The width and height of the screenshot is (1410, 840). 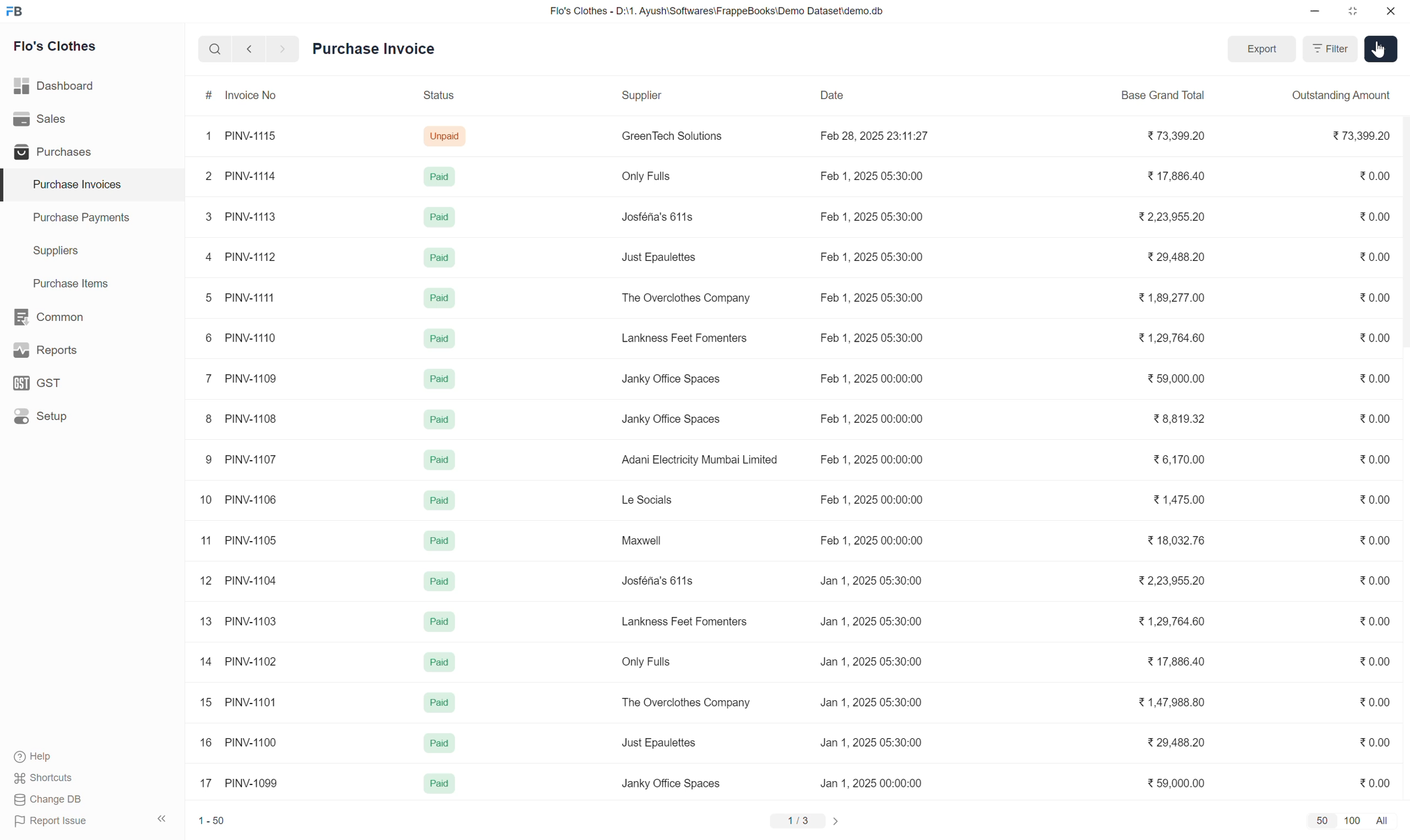 I want to click on Paid, so click(x=438, y=583).